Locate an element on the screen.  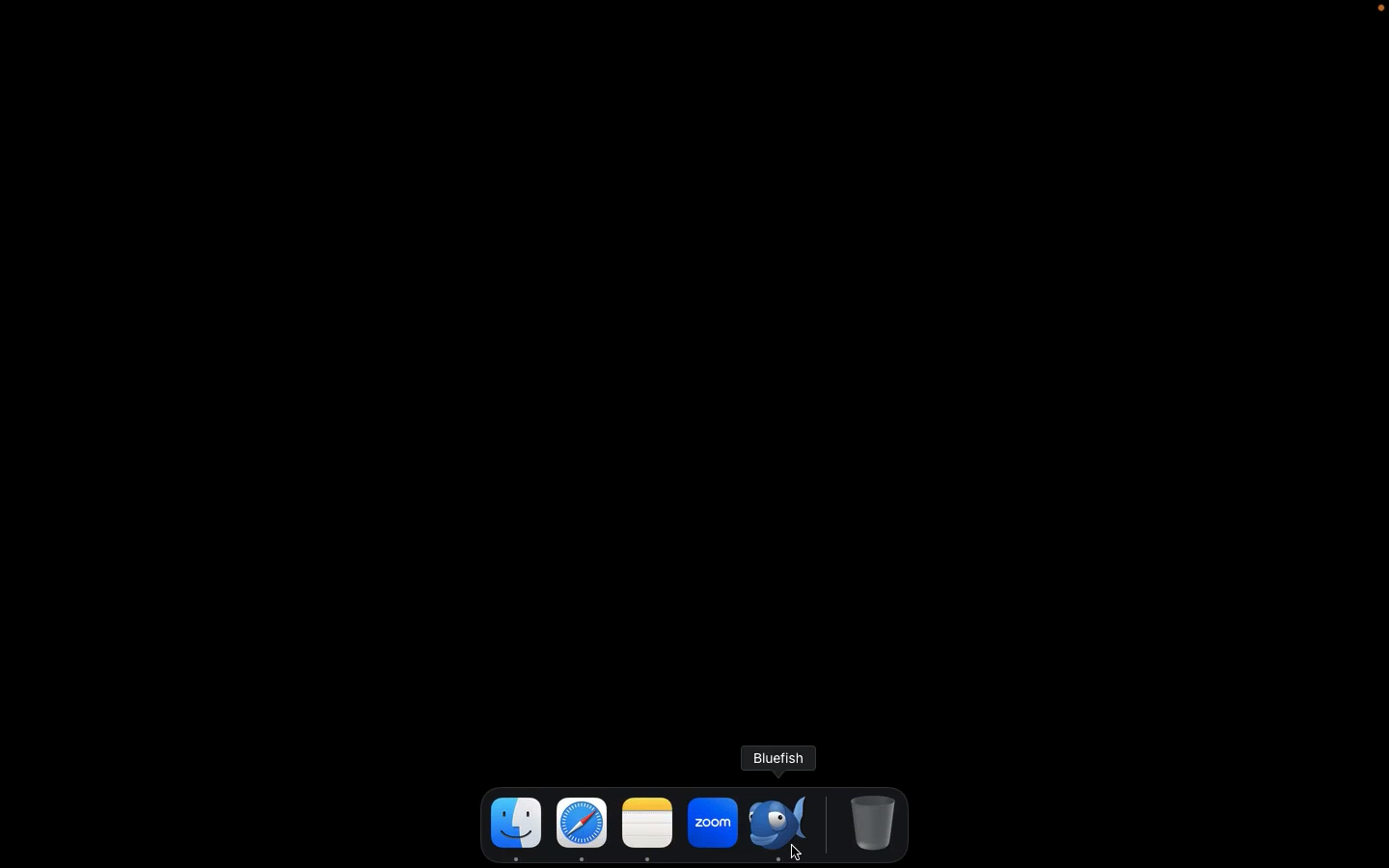
finder is located at coordinates (518, 824).